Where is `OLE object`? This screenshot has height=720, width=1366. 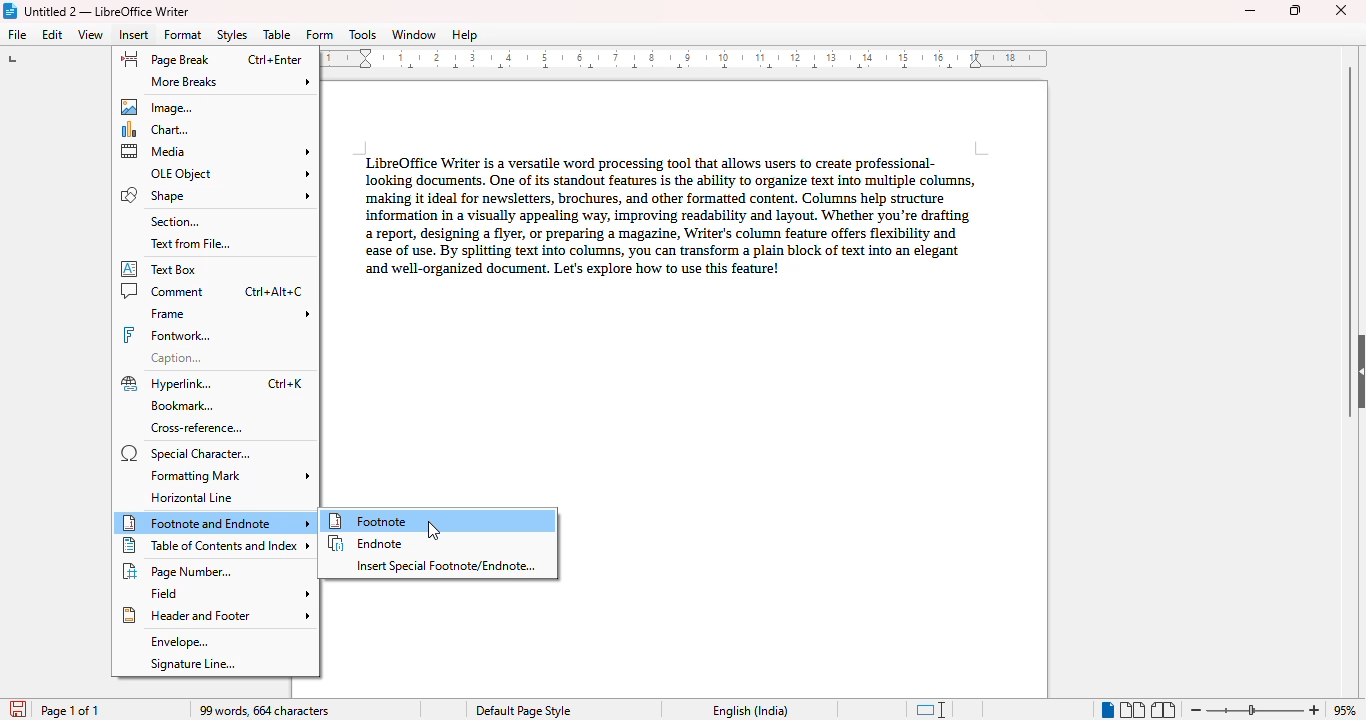 OLE object is located at coordinates (228, 174).